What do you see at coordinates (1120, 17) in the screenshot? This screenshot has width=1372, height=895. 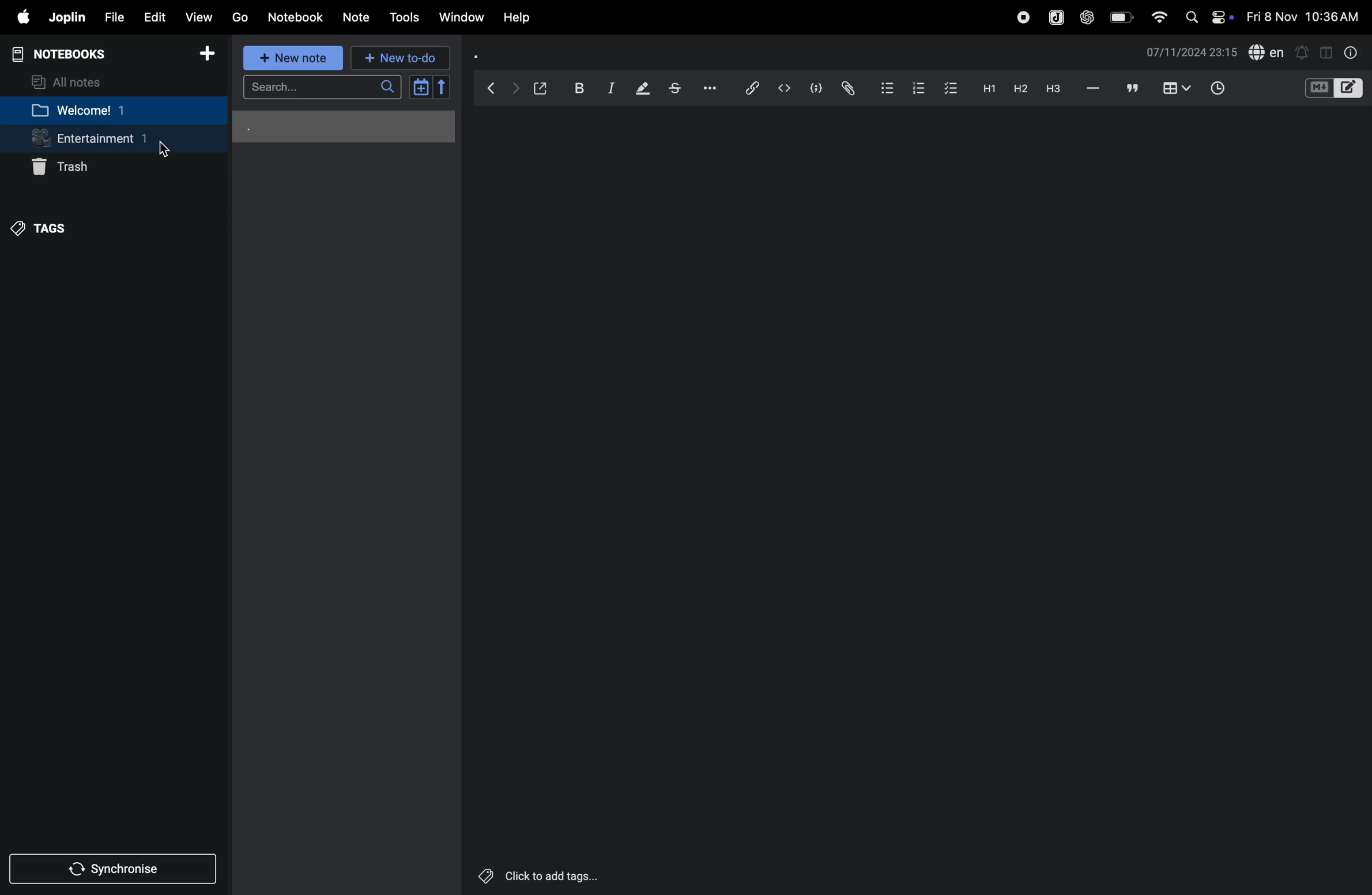 I see `battery` at bounding box center [1120, 17].